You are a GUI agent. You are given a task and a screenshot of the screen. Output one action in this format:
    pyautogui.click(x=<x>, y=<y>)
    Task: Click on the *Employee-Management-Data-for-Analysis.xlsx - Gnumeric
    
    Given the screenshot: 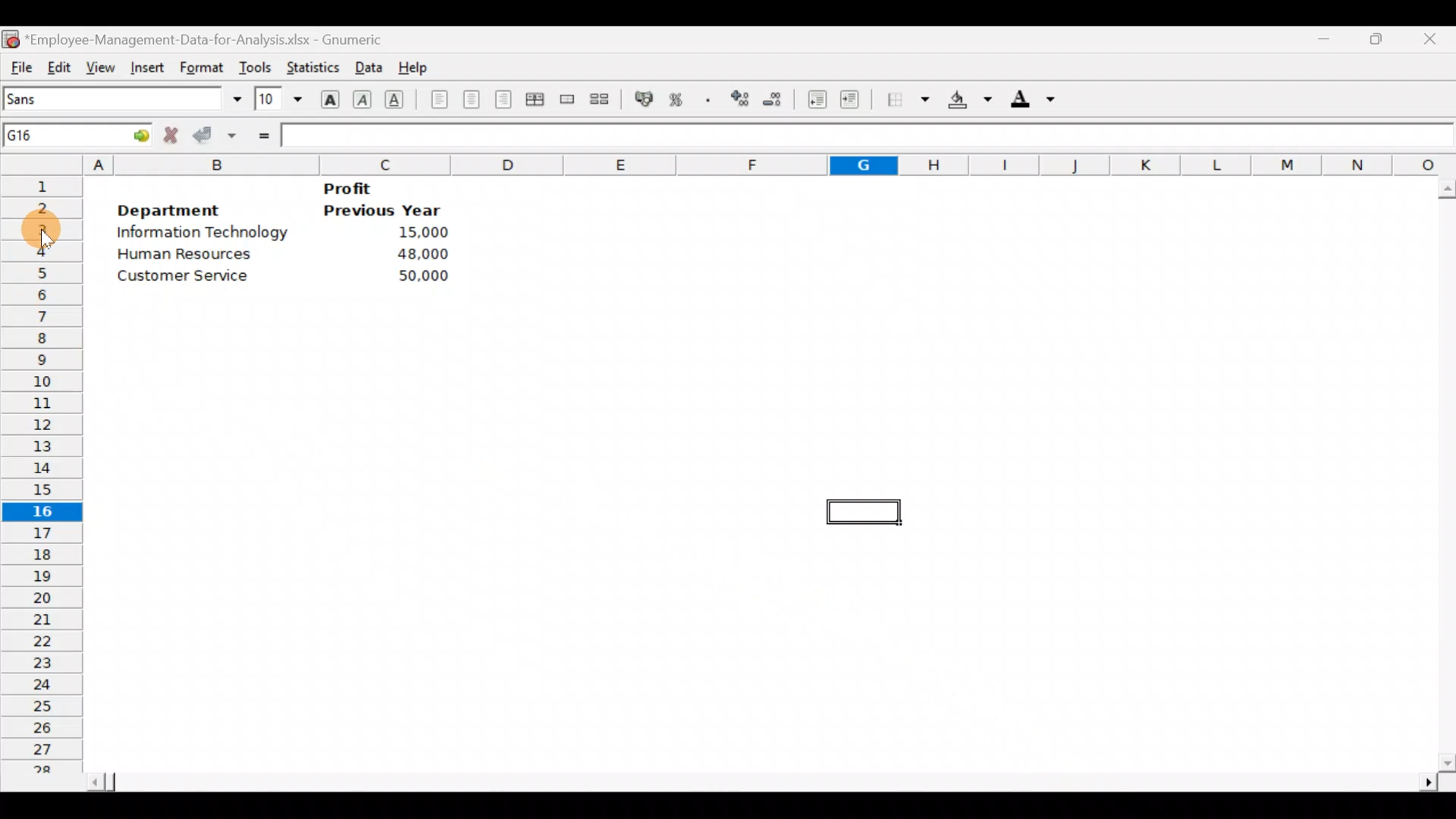 What is the action you would take?
    pyautogui.click(x=205, y=37)
    